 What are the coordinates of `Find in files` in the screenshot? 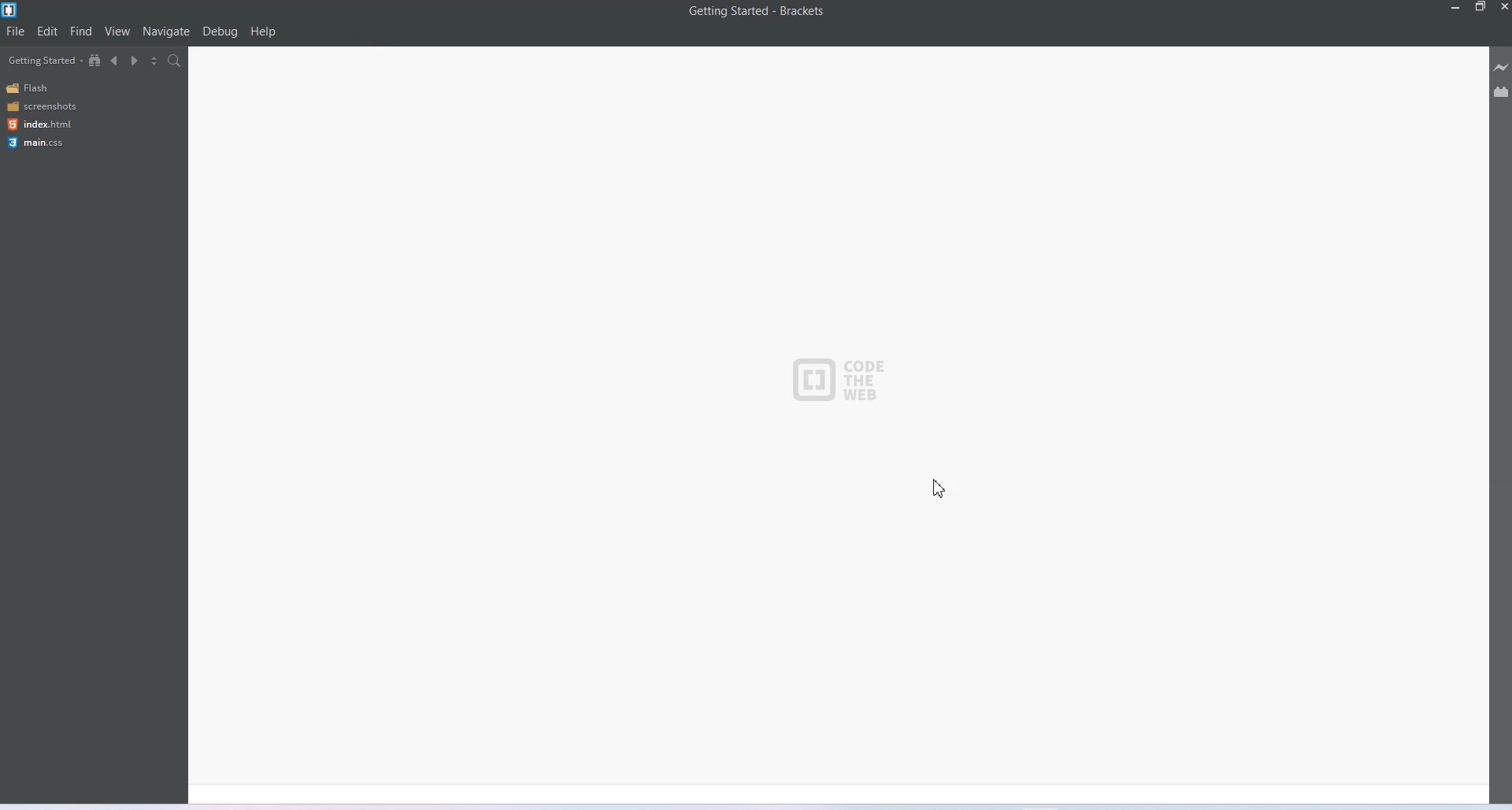 It's located at (176, 60).